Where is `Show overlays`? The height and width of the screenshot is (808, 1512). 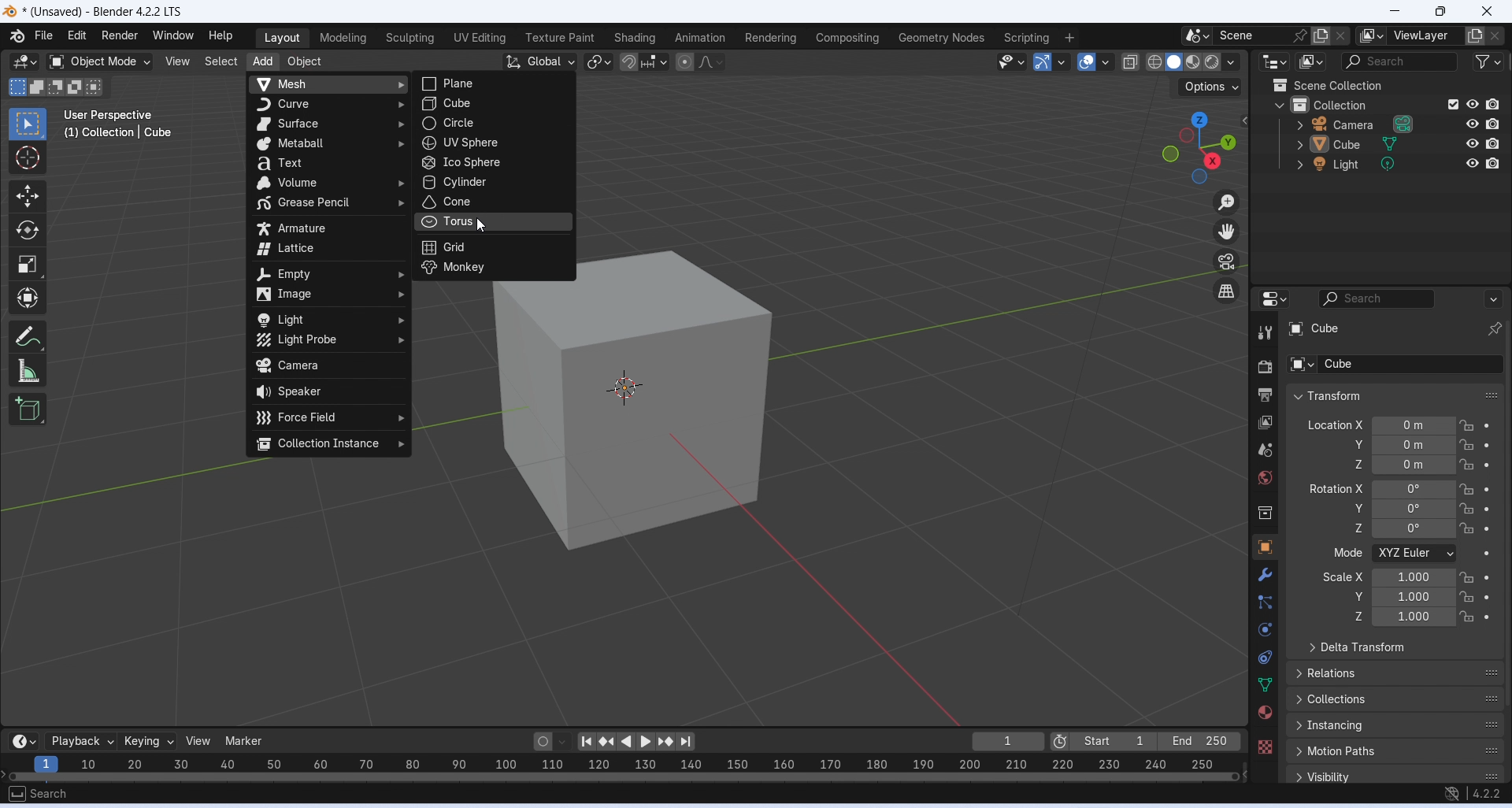 Show overlays is located at coordinates (1094, 62).